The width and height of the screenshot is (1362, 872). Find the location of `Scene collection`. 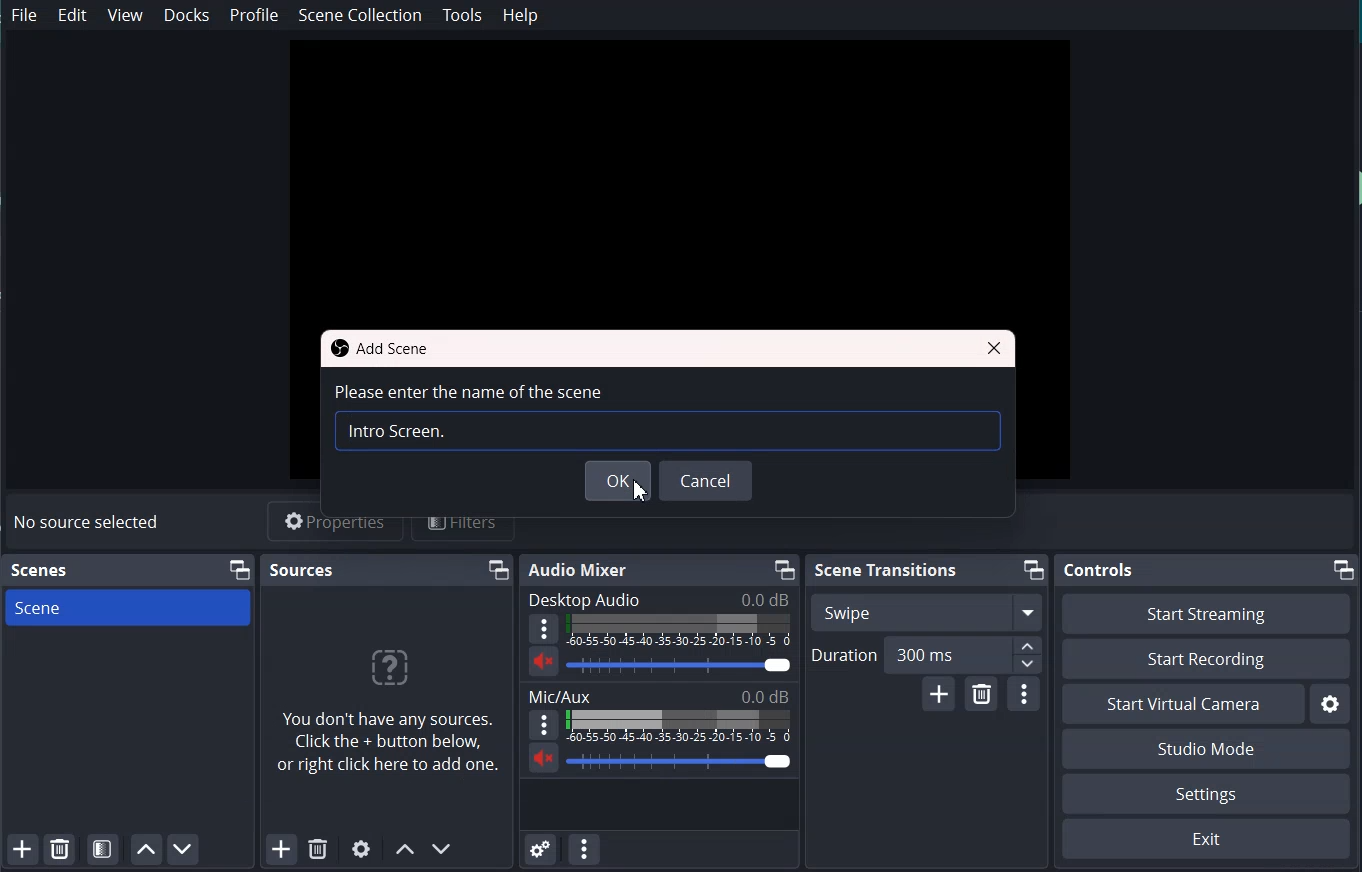

Scene collection is located at coordinates (360, 15).